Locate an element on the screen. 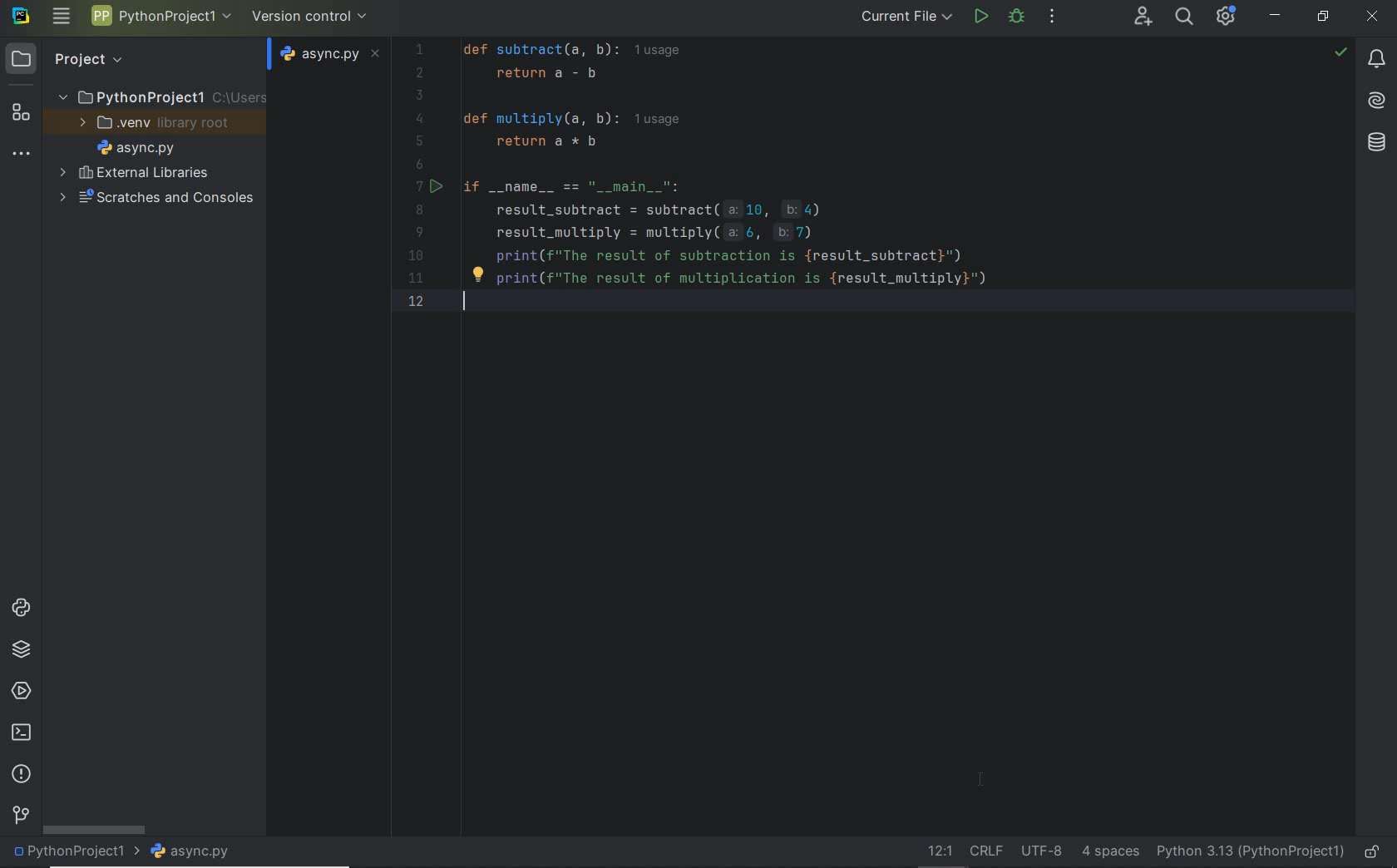 This screenshot has height=868, width=1397. scratches and consoles is located at coordinates (155, 201).